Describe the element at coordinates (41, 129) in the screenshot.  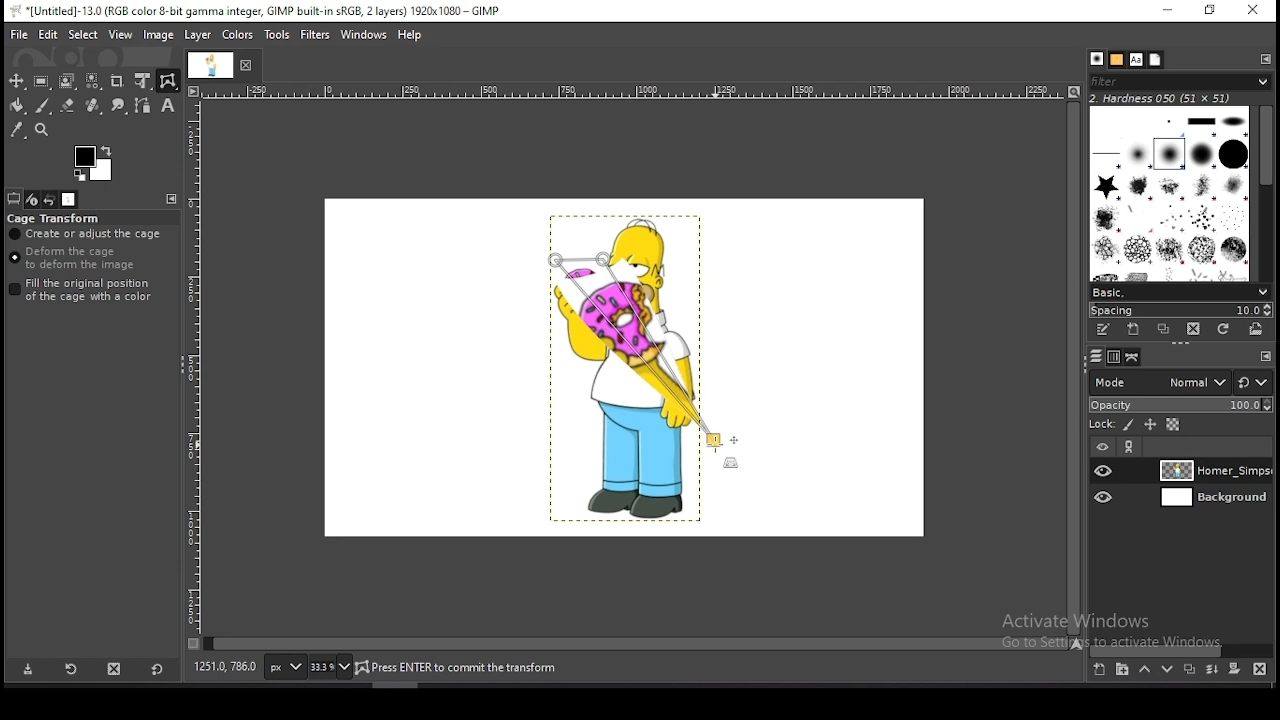
I see `zoom tool` at that location.